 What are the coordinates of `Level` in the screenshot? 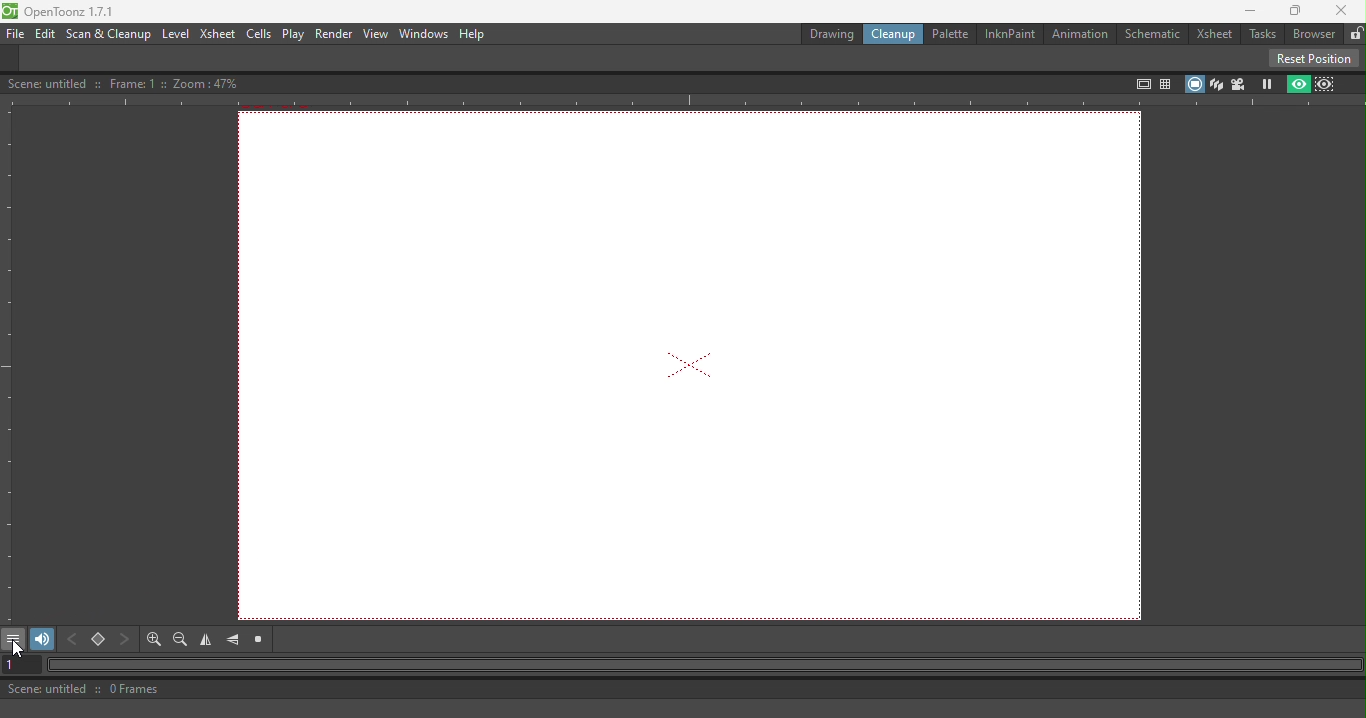 It's located at (176, 33).